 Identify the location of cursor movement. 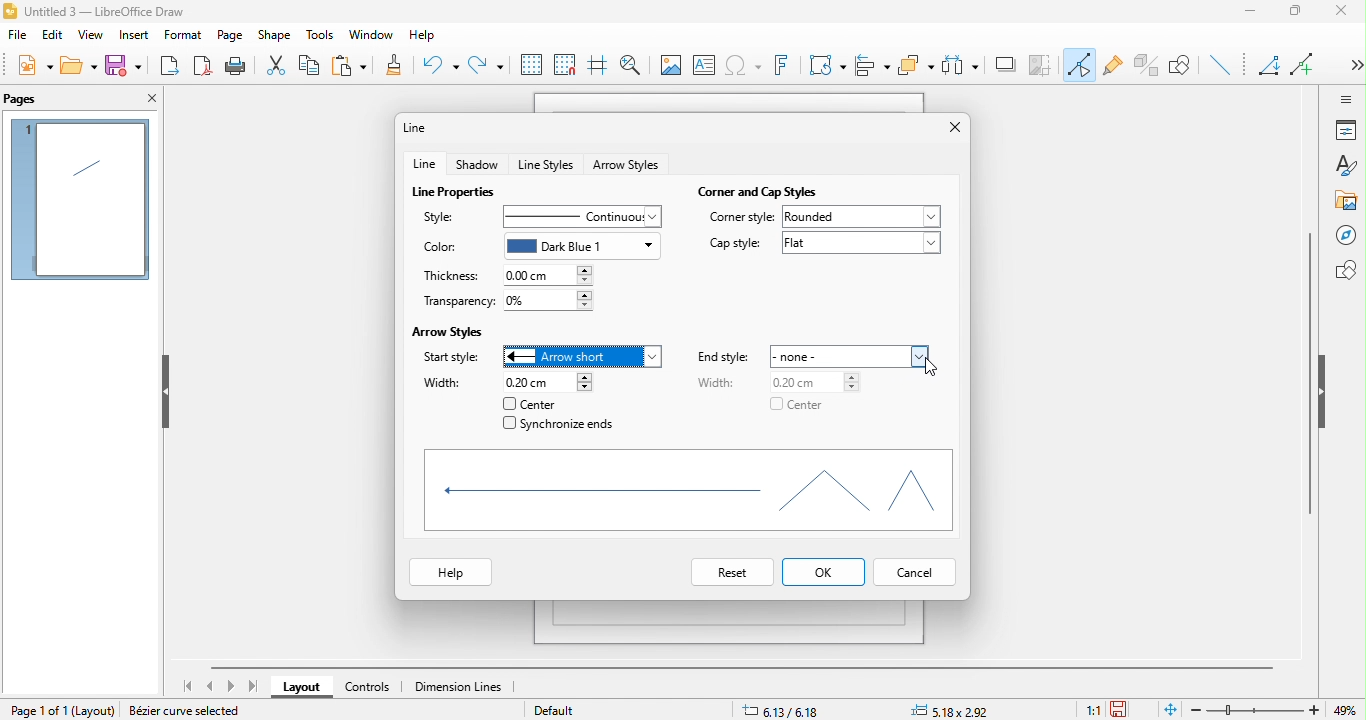
(926, 365).